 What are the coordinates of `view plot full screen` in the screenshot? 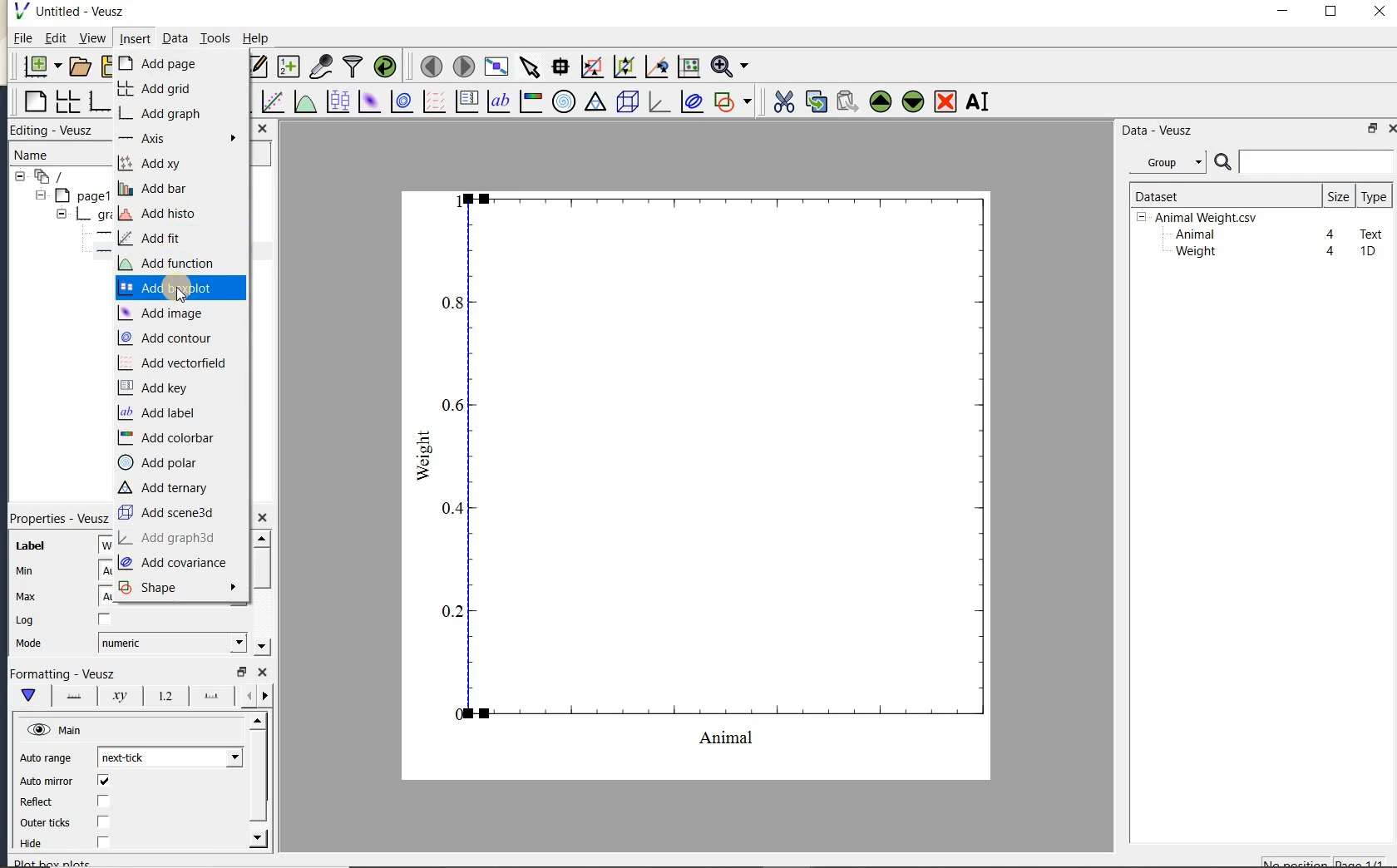 It's located at (496, 67).